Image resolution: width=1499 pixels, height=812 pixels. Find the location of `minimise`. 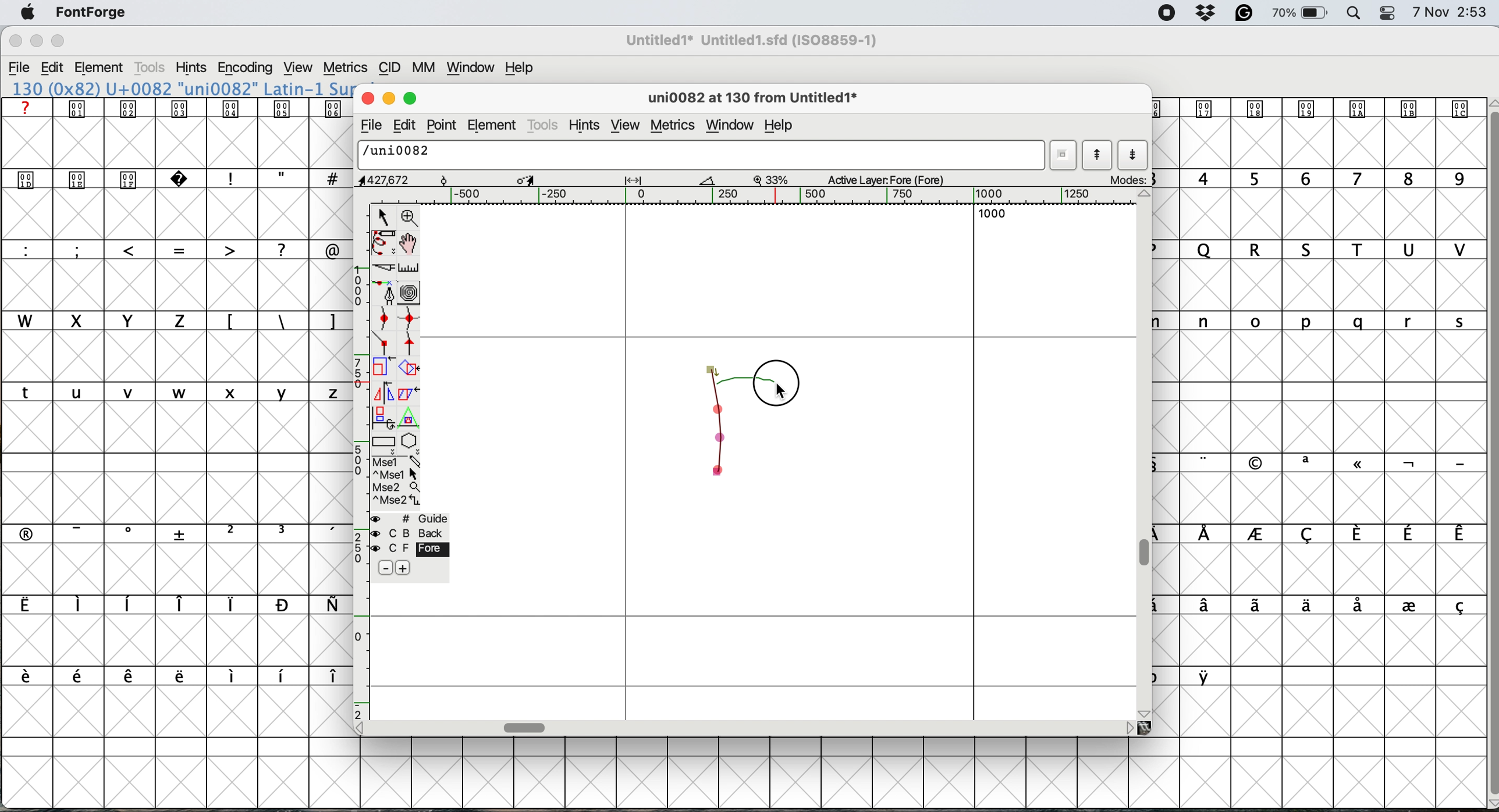

minimise is located at coordinates (33, 43).